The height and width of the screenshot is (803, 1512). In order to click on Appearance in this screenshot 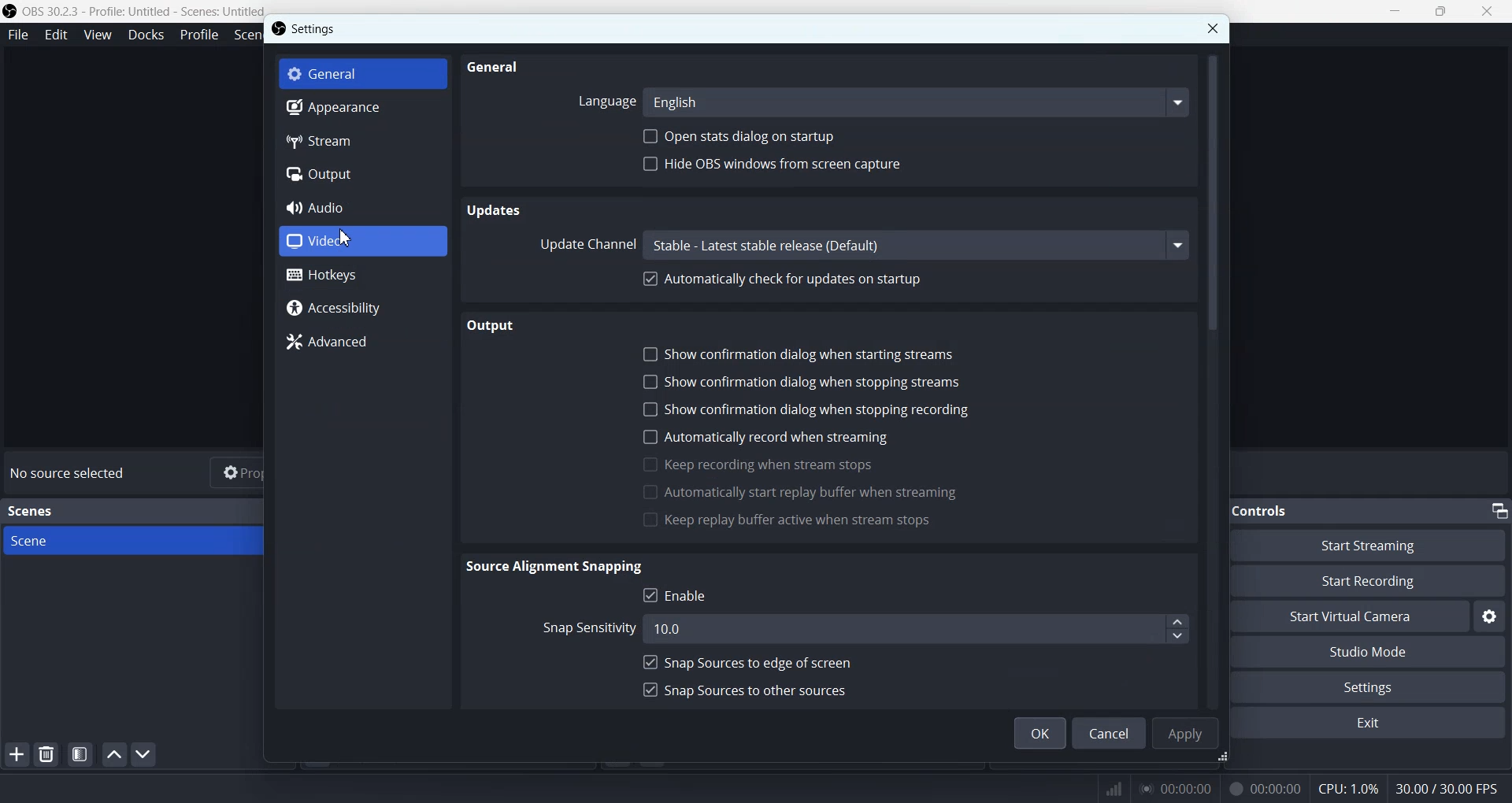, I will do `click(362, 109)`.